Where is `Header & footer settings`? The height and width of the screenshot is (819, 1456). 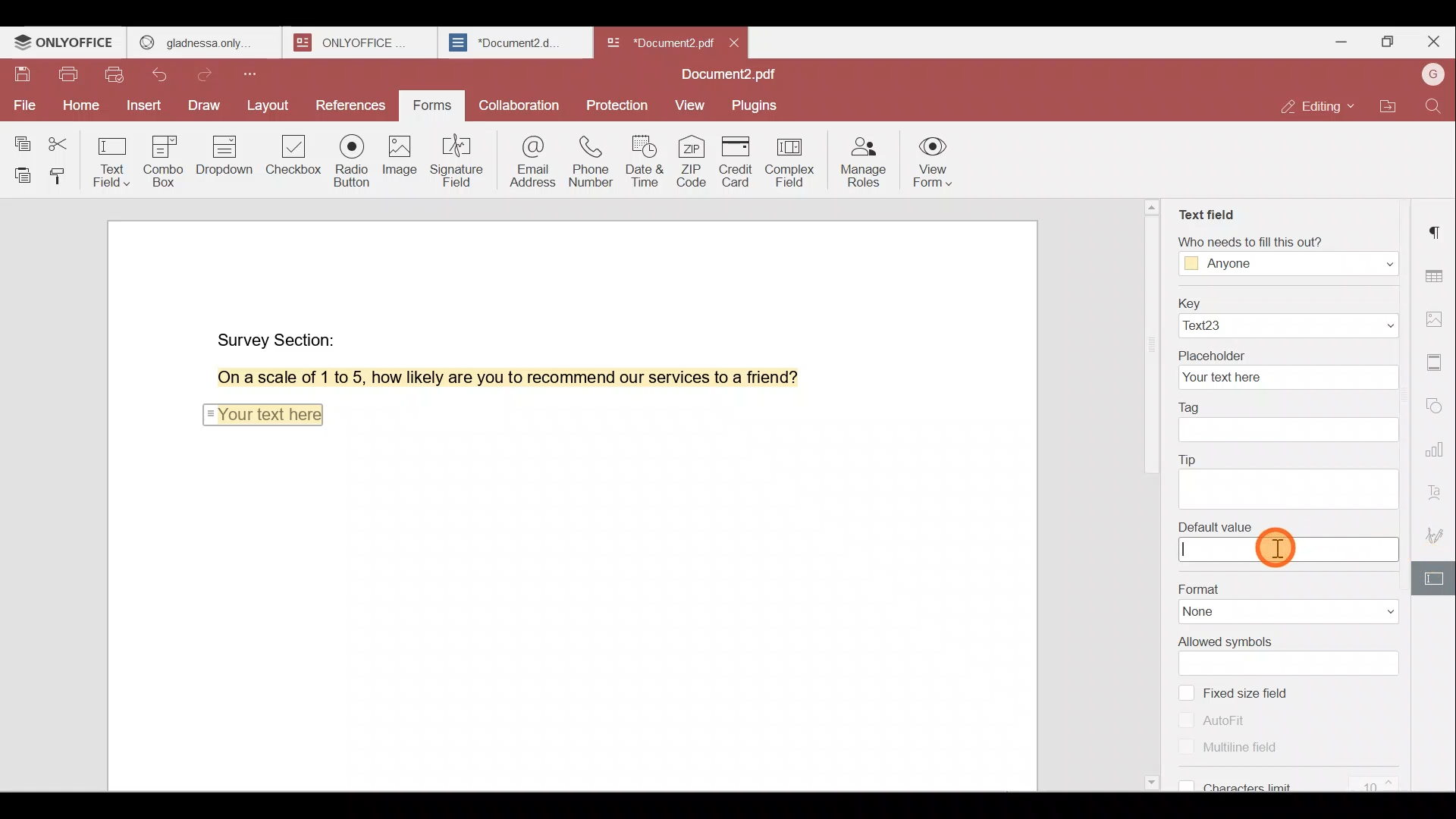
Header & footer settings is located at coordinates (1438, 361).